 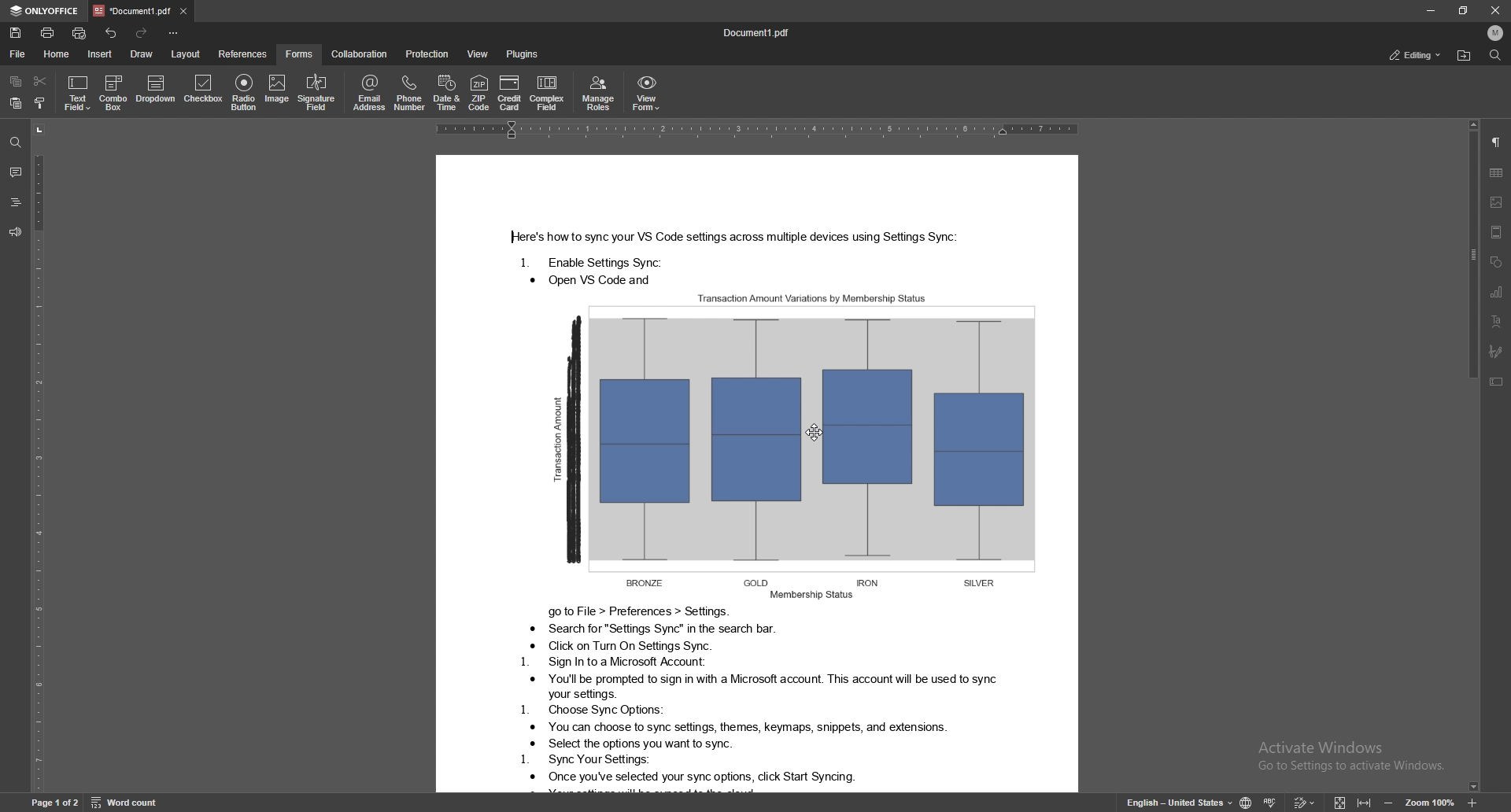 I want to click on view, so click(x=479, y=54).